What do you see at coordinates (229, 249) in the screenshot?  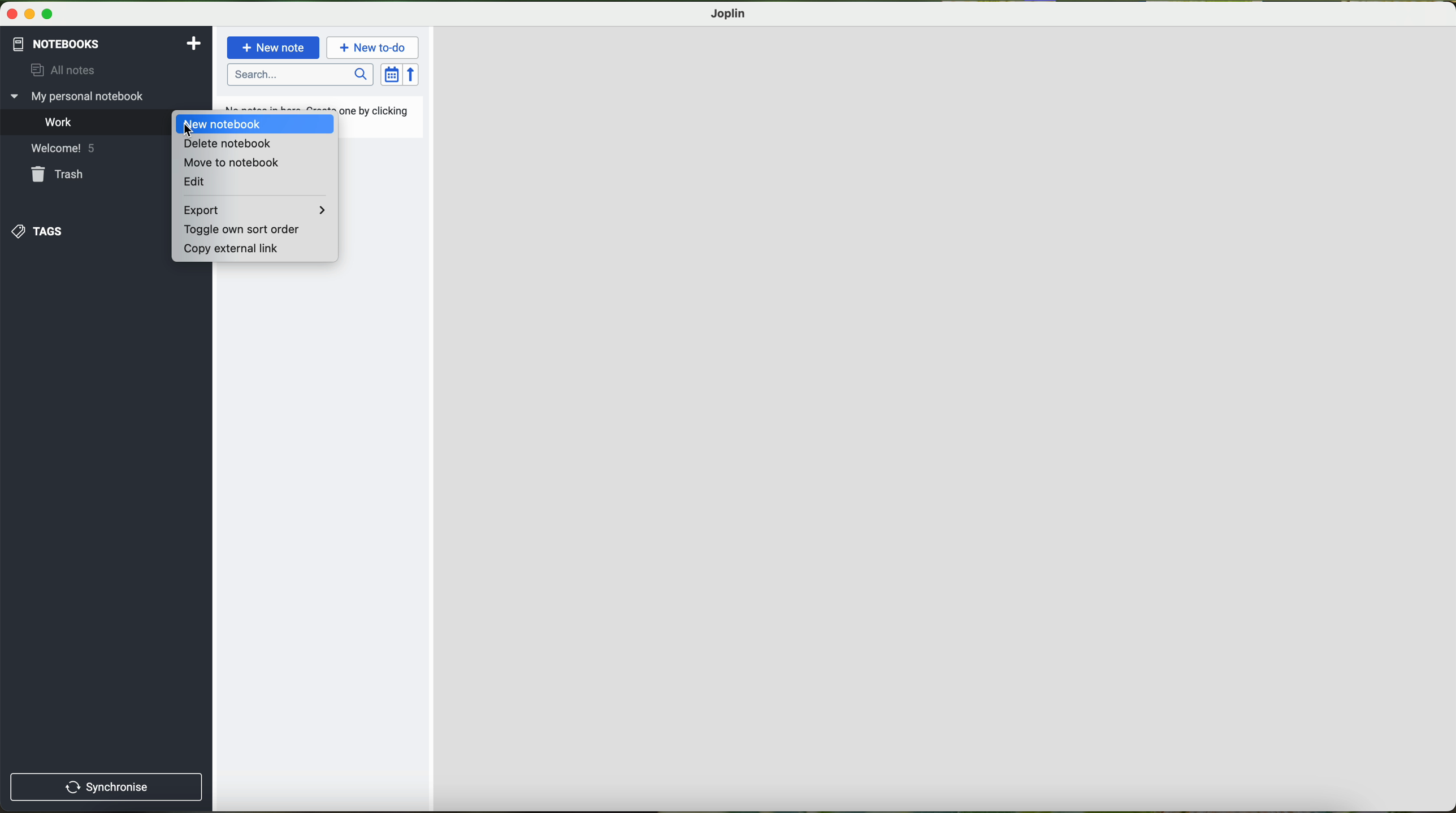 I see `copy external link` at bounding box center [229, 249].